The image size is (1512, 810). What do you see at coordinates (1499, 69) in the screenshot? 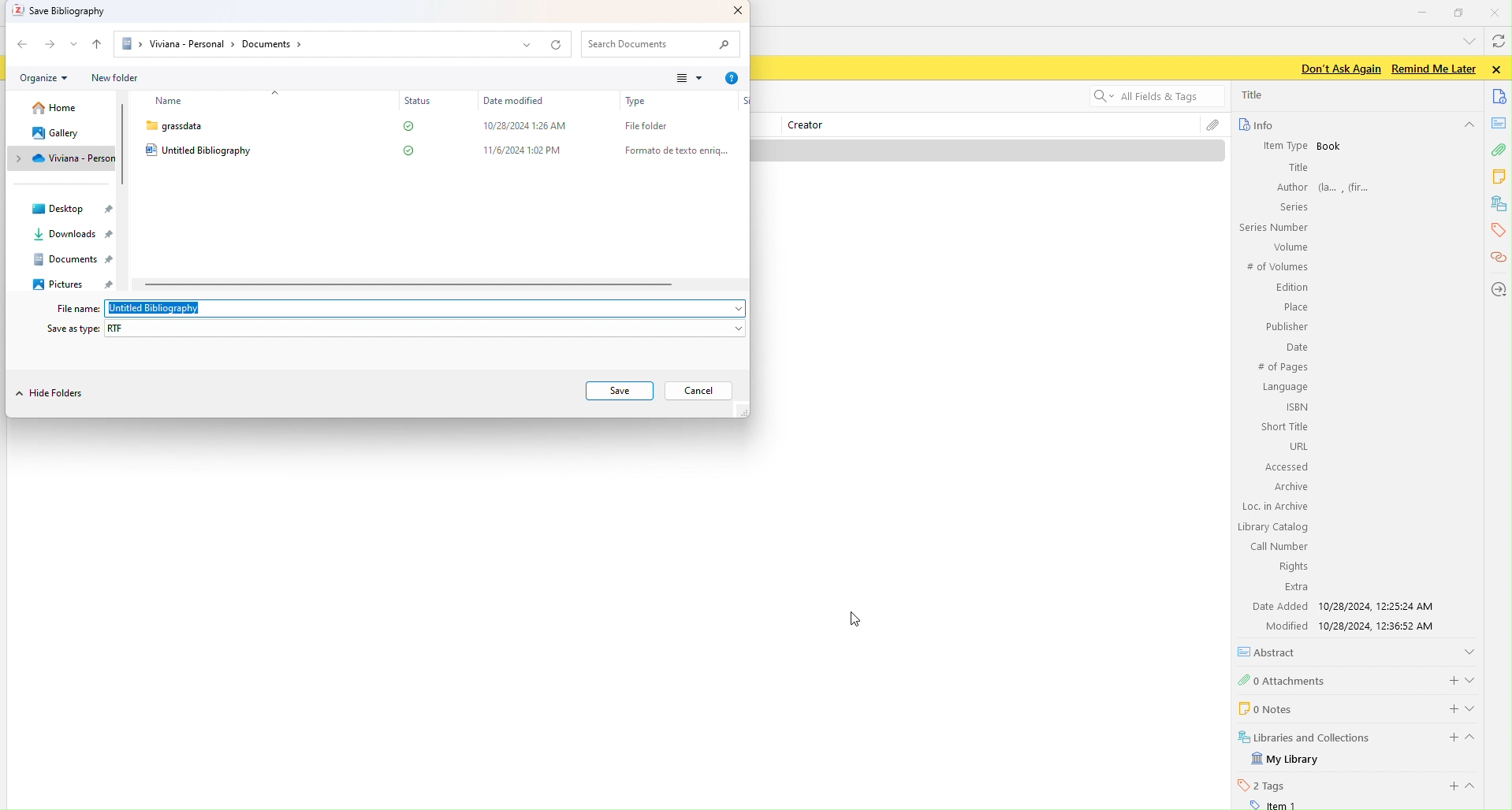
I see `close` at bounding box center [1499, 69].